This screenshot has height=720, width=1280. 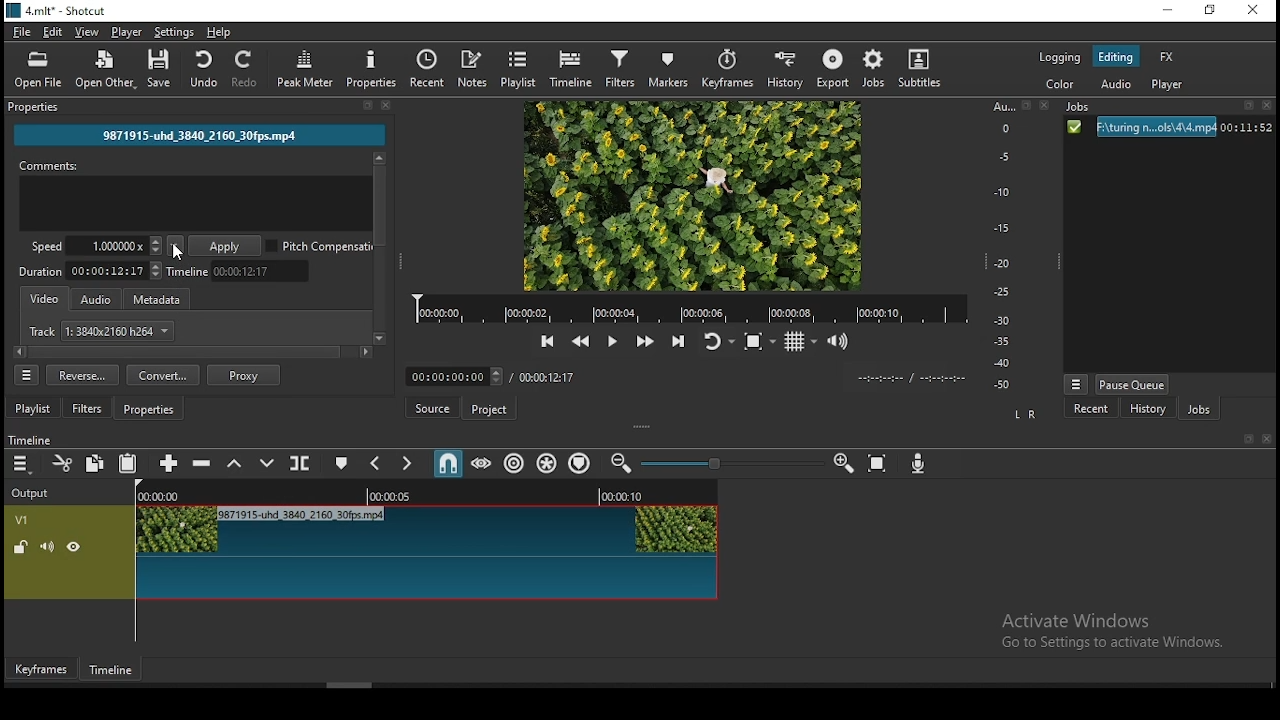 What do you see at coordinates (239, 272) in the screenshot?
I see `timeline` at bounding box center [239, 272].